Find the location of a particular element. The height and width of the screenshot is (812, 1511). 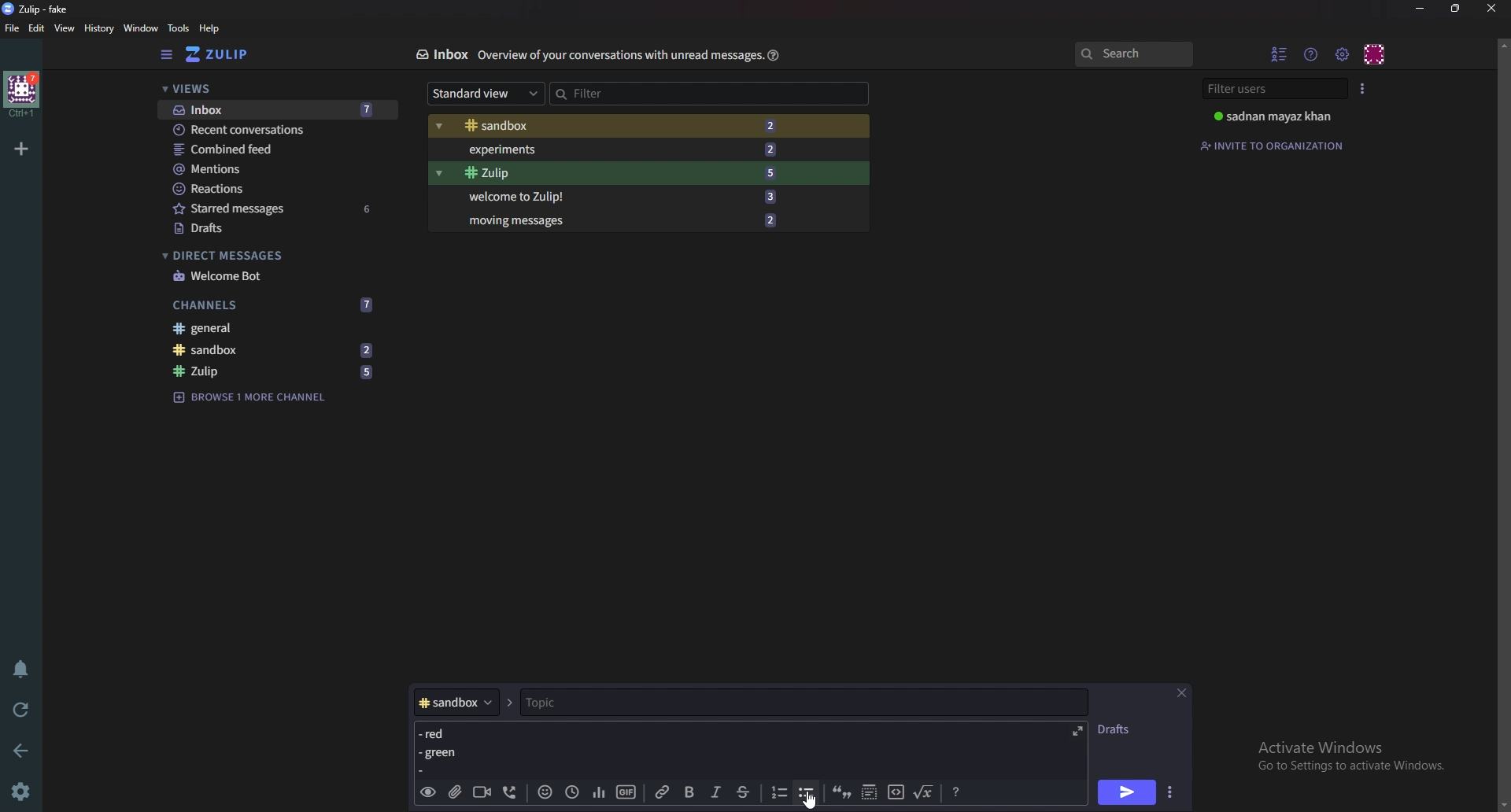

Sandbox is located at coordinates (614, 127).